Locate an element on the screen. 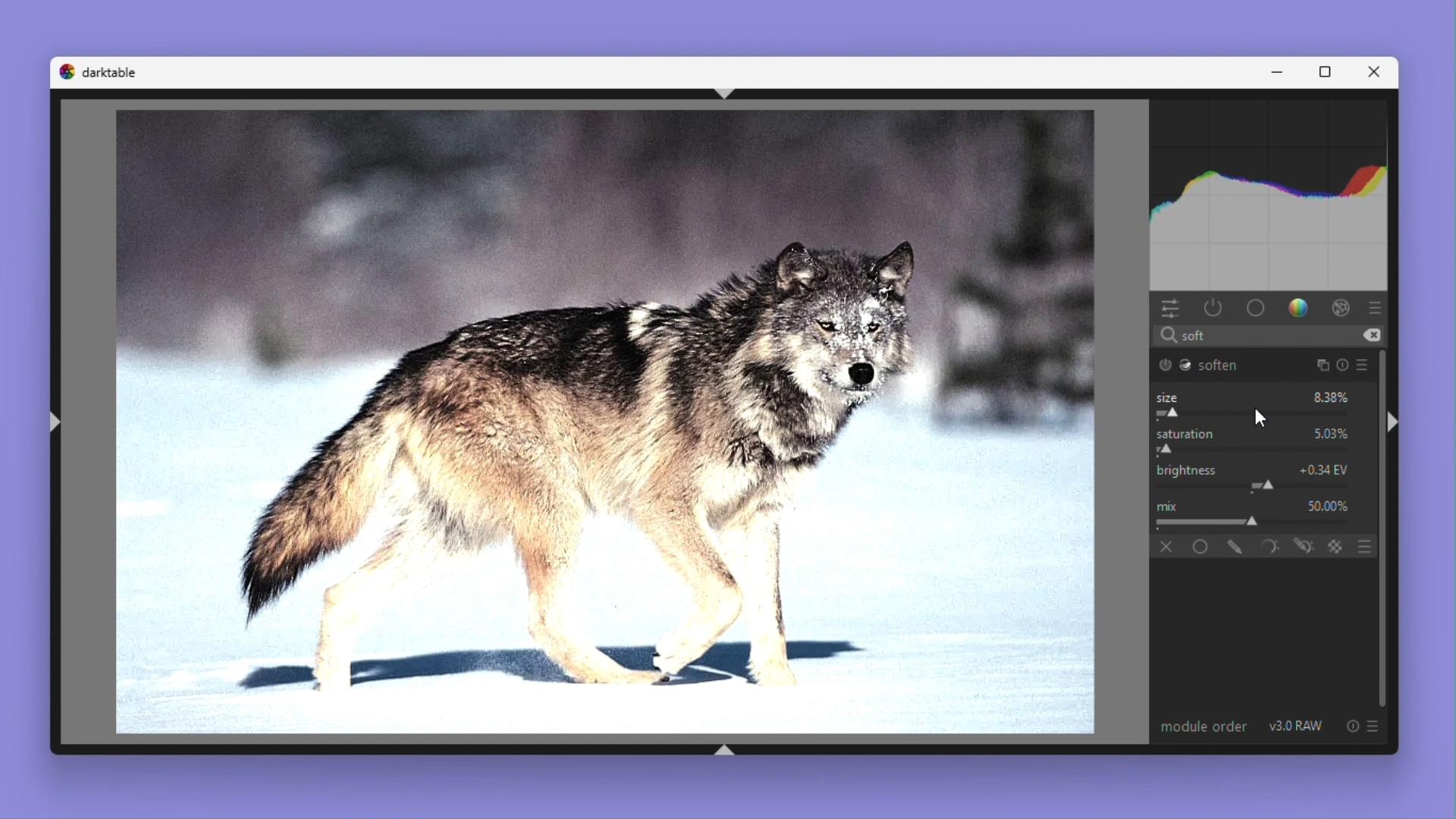  Brightness  is located at coordinates (1186, 469).